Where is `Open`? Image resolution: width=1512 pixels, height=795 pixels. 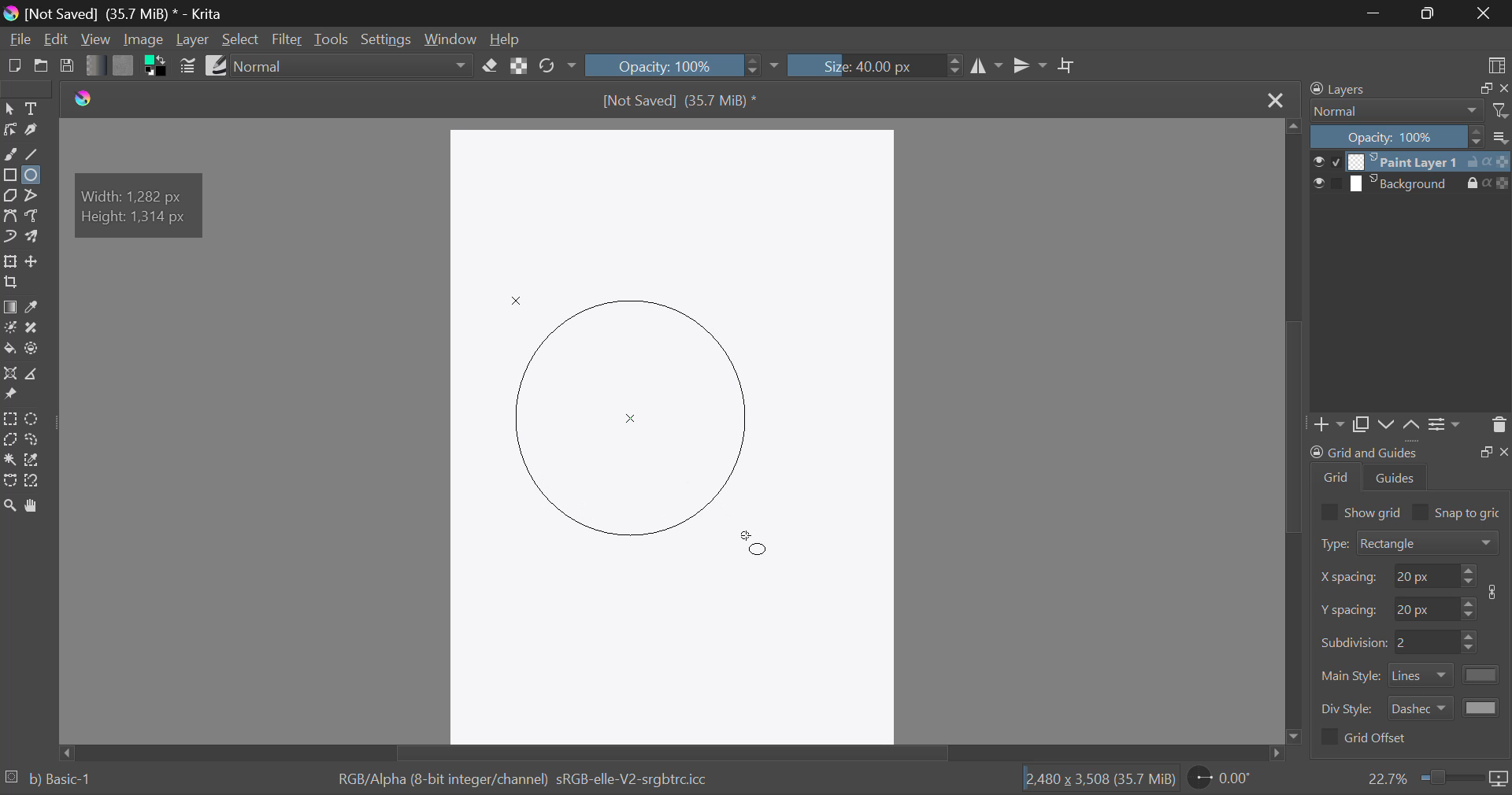
Open is located at coordinates (43, 65).